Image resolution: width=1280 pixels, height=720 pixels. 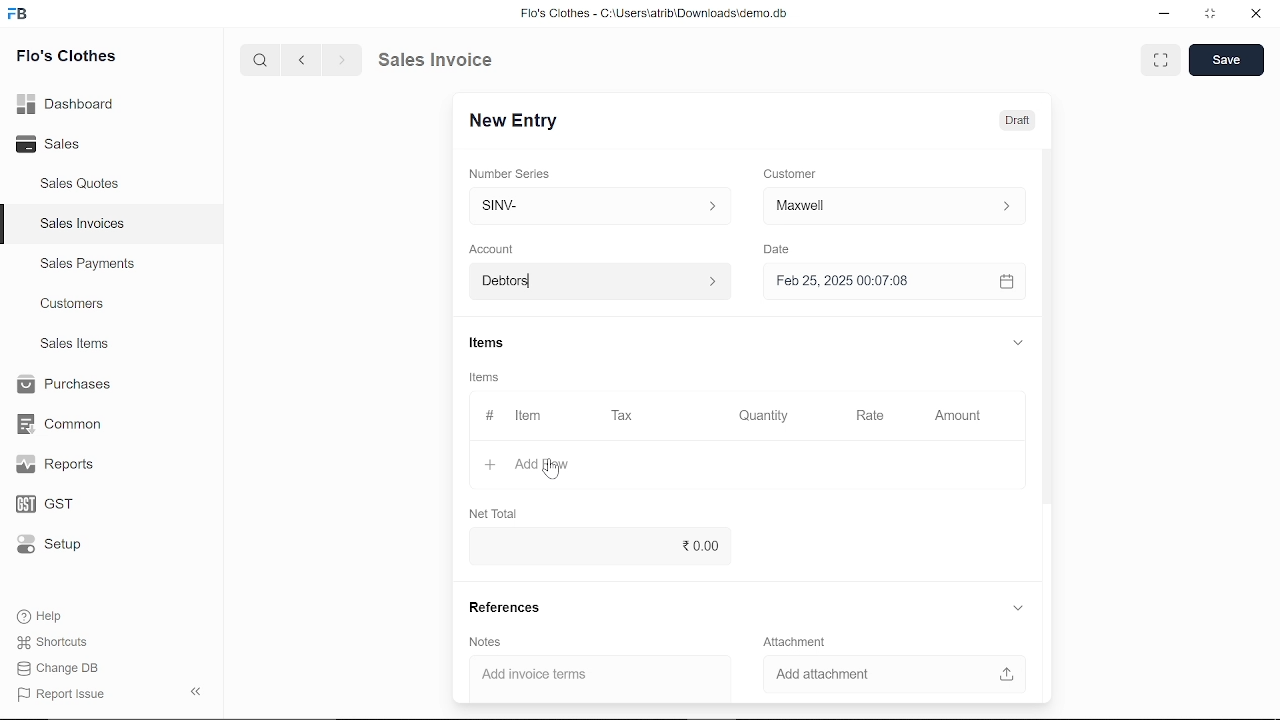 What do you see at coordinates (61, 693) in the screenshot?
I see `Report Issue` at bounding box center [61, 693].